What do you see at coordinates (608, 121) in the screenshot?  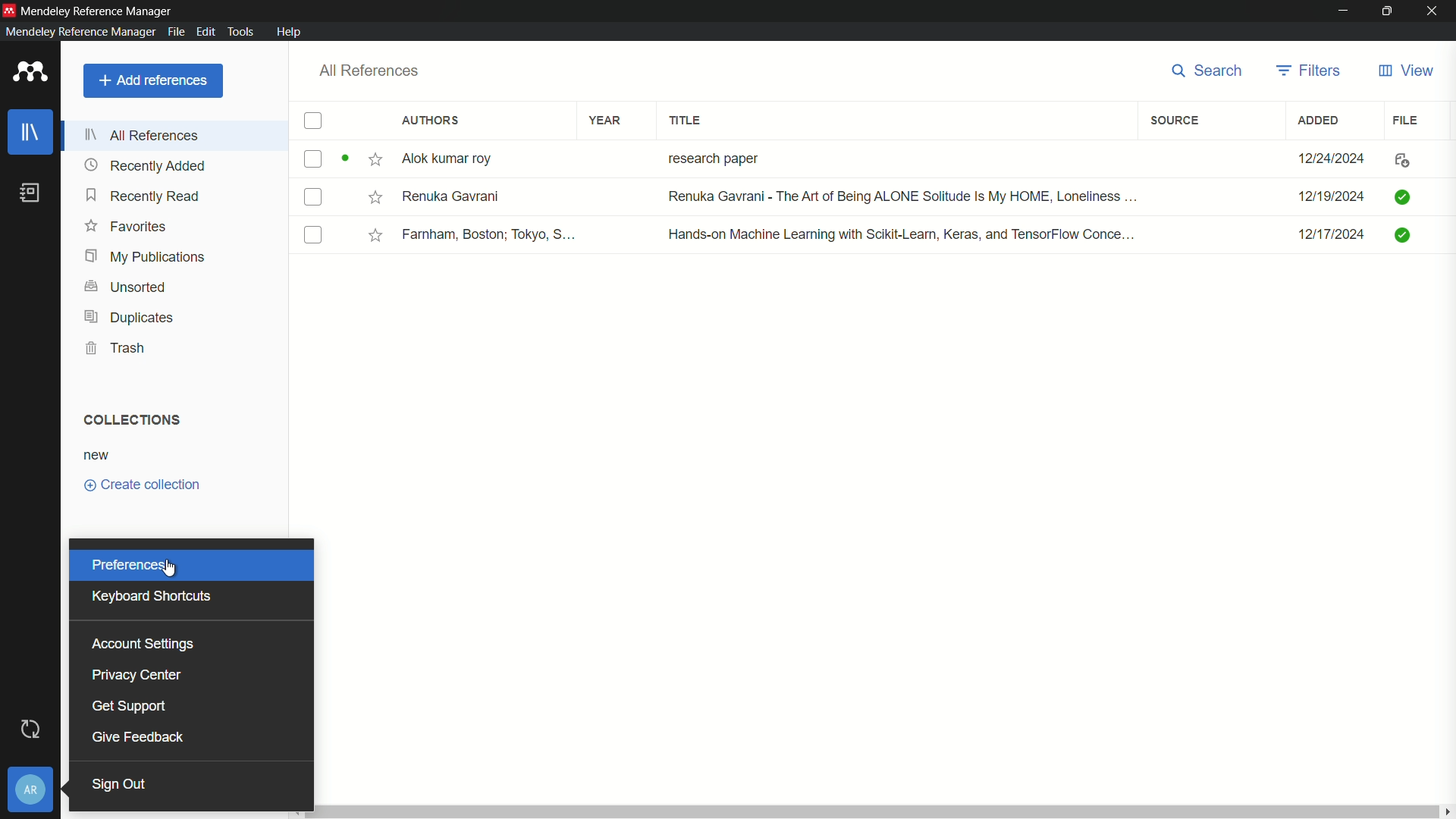 I see `year` at bounding box center [608, 121].